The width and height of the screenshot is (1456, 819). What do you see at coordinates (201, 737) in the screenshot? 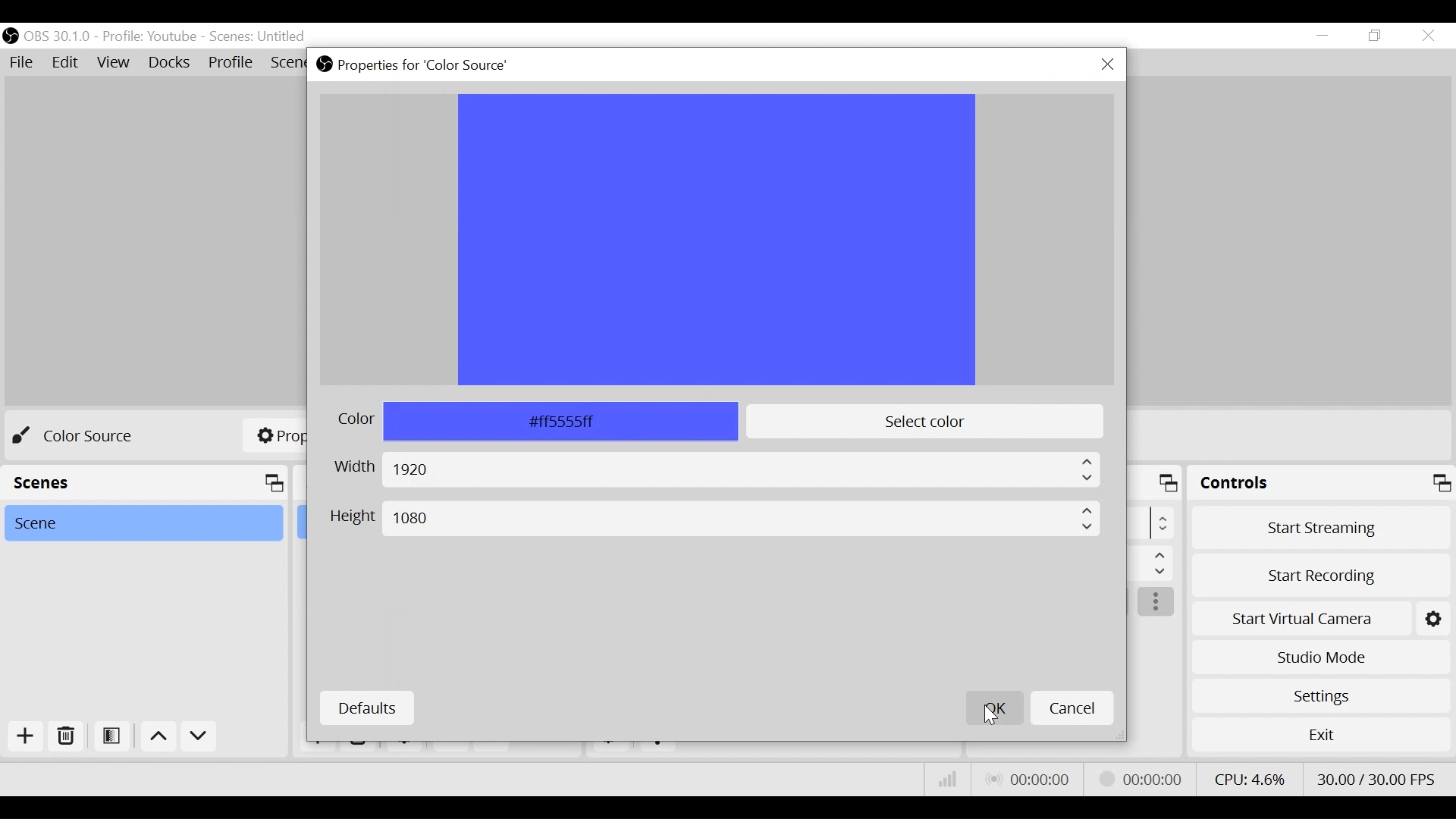
I see `move down` at bounding box center [201, 737].